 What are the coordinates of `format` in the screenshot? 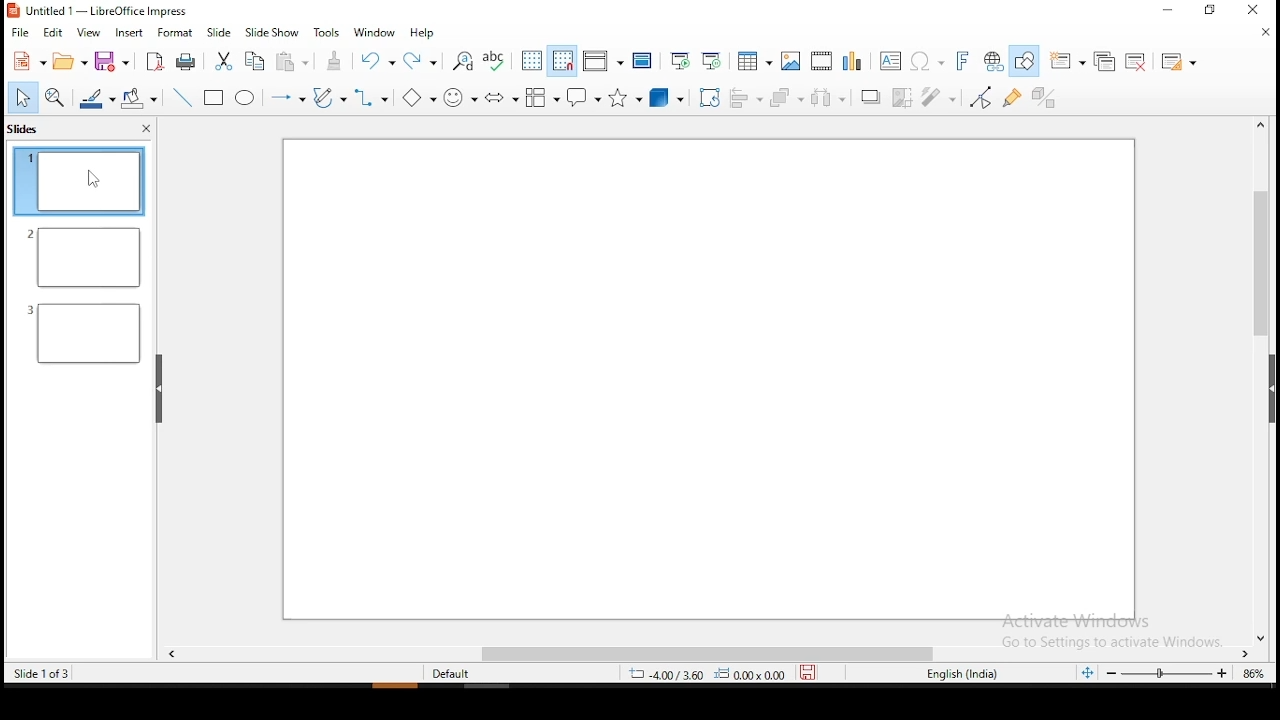 It's located at (174, 35).